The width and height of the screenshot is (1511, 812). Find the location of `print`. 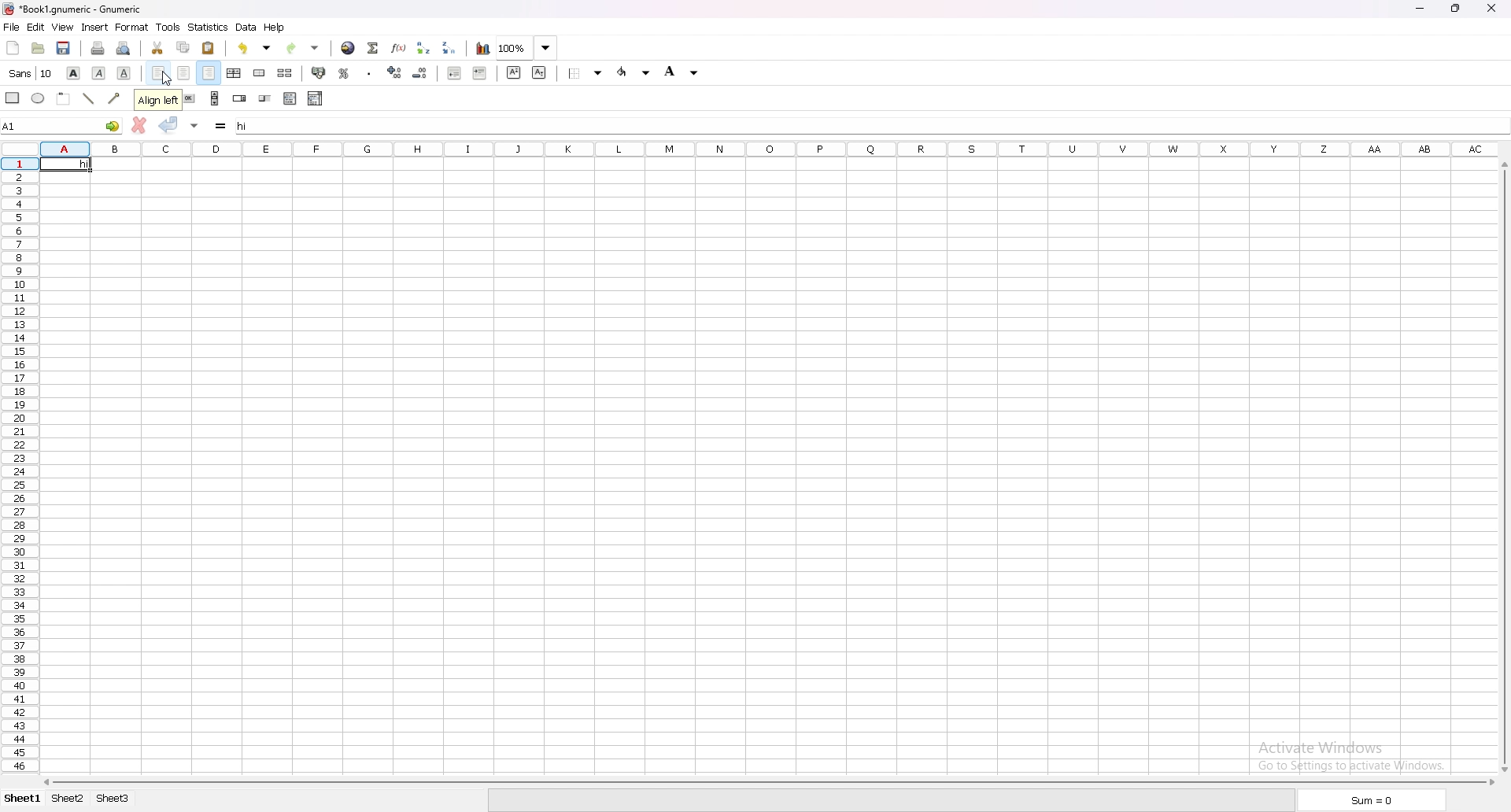

print is located at coordinates (98, 48).